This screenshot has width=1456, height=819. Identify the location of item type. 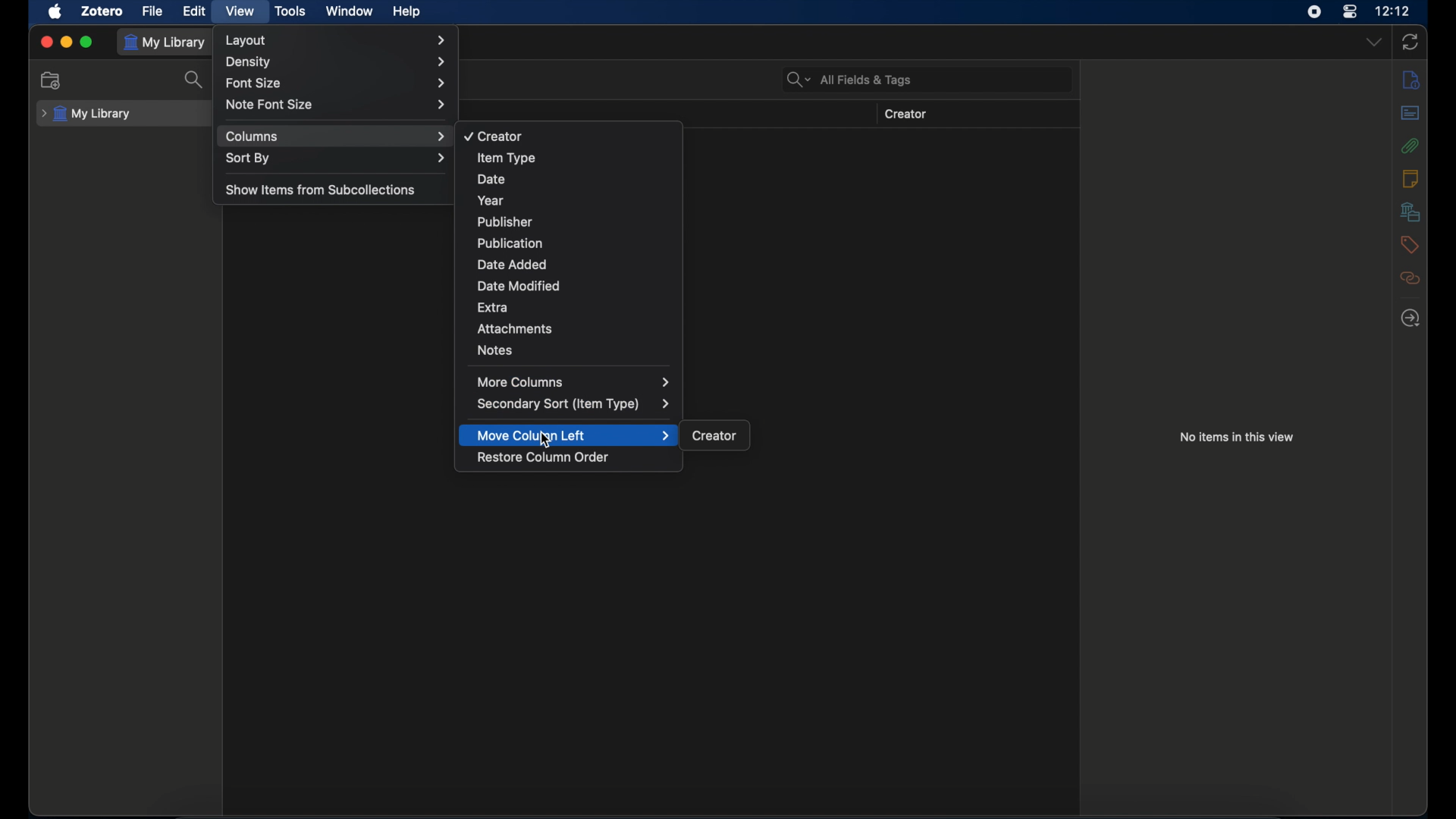
(507, 158).